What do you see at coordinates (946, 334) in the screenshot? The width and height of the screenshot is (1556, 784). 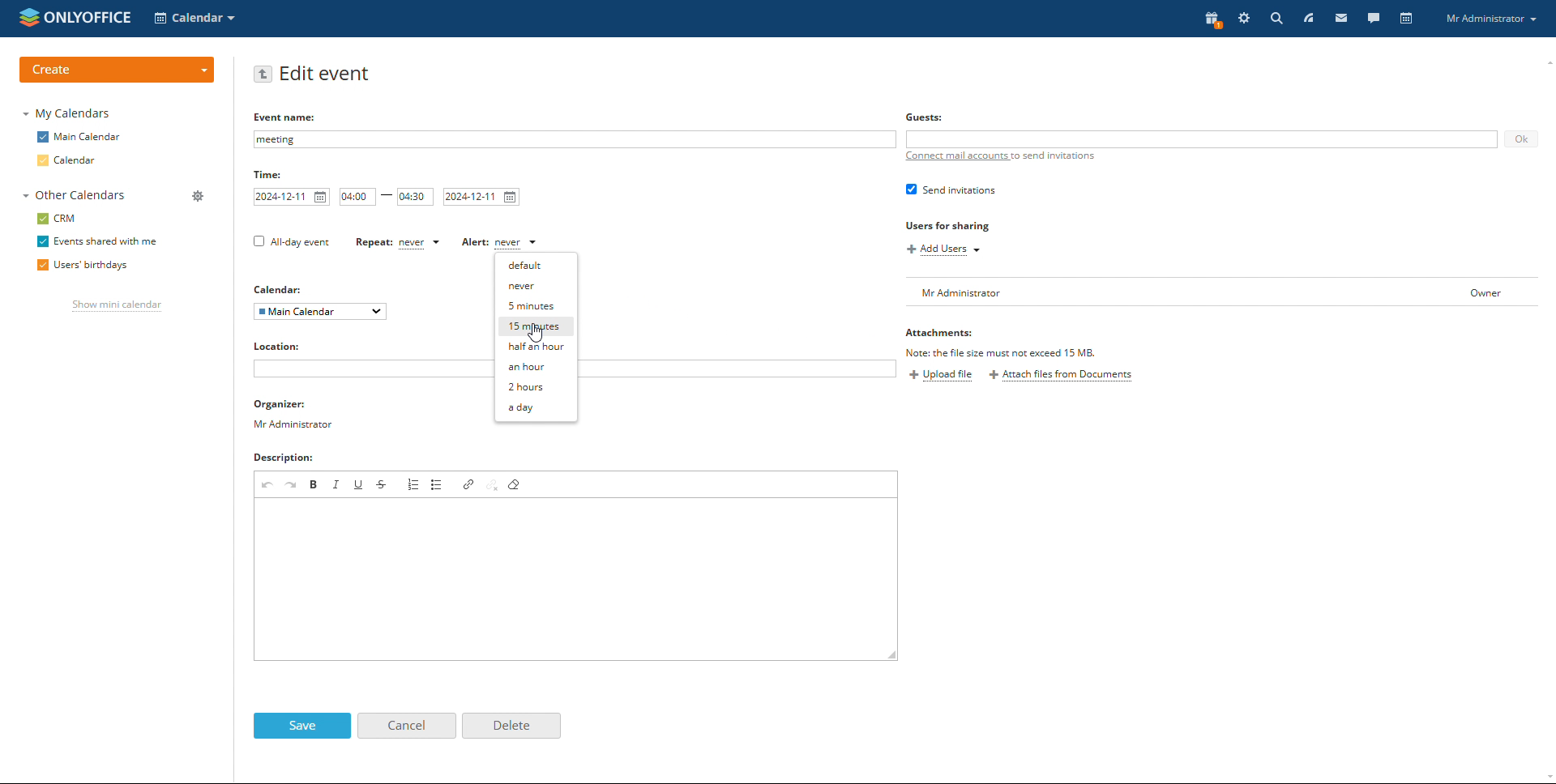 I see `Attachments:` at bounding box center [946, 334].